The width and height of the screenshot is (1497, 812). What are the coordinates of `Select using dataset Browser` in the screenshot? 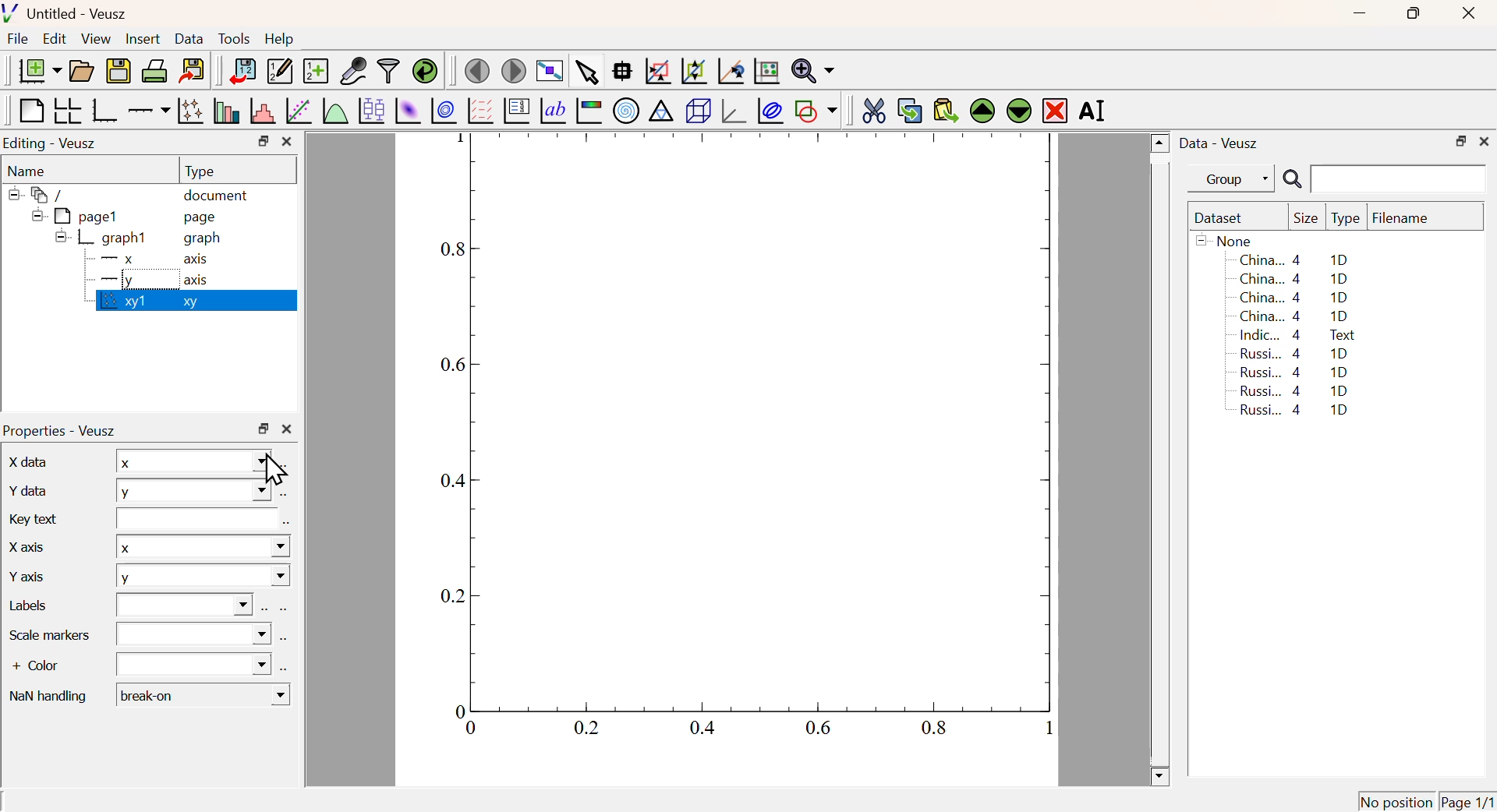 It's located at (264, 609).